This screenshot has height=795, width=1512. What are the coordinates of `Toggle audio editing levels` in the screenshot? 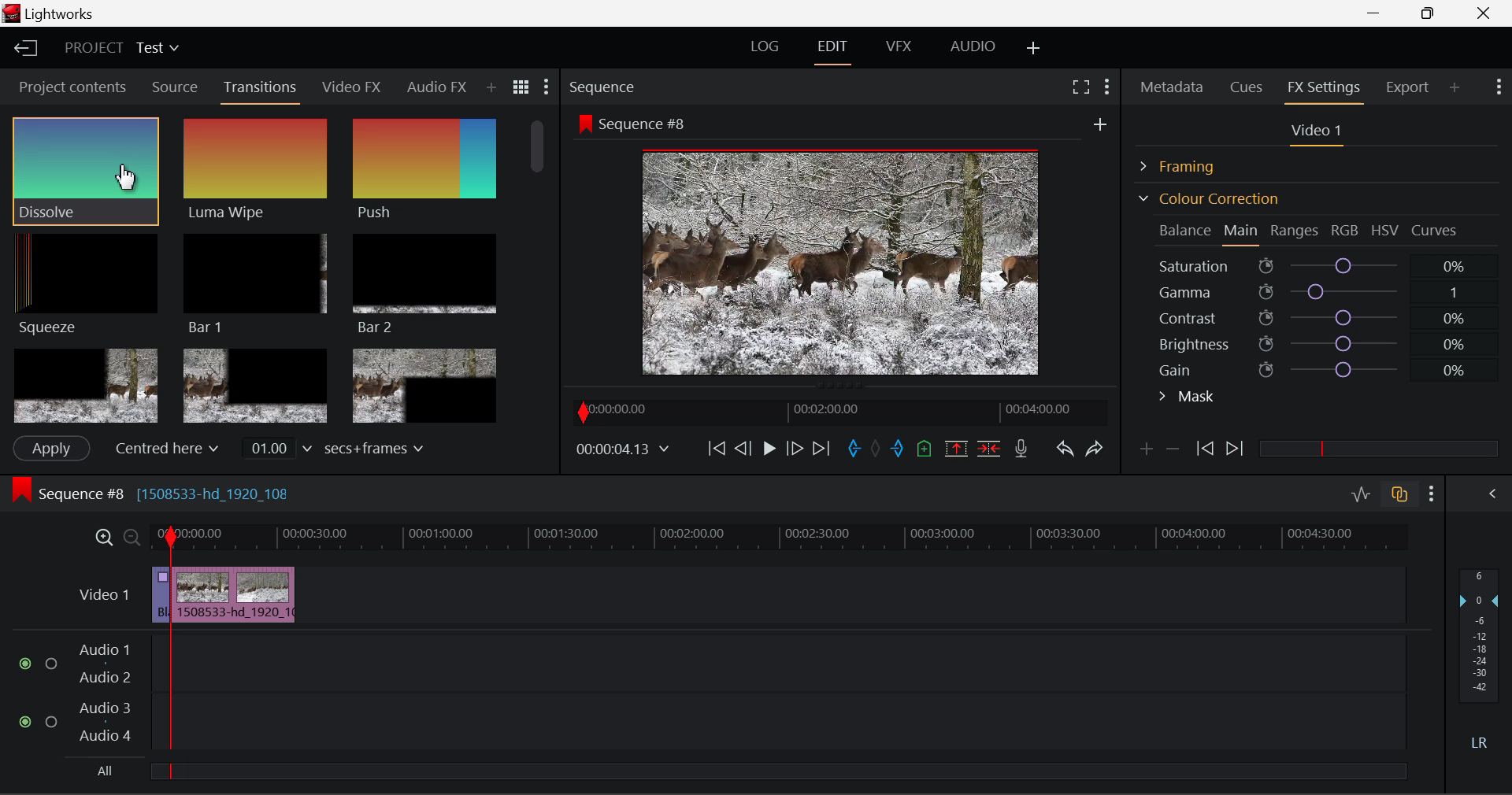 It's located at (1362, 492).